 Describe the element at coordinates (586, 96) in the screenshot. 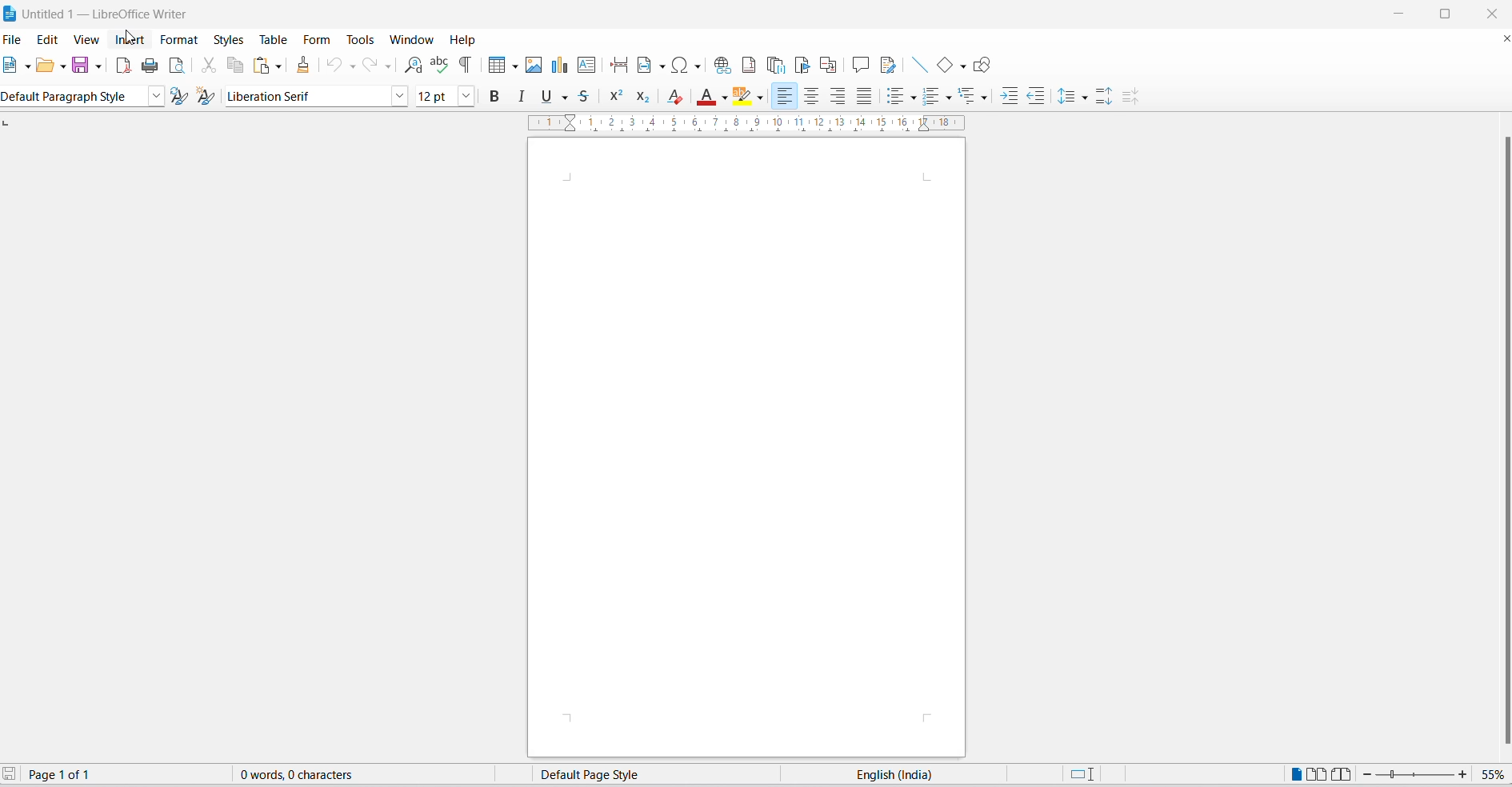

I see `strike through` at that location.